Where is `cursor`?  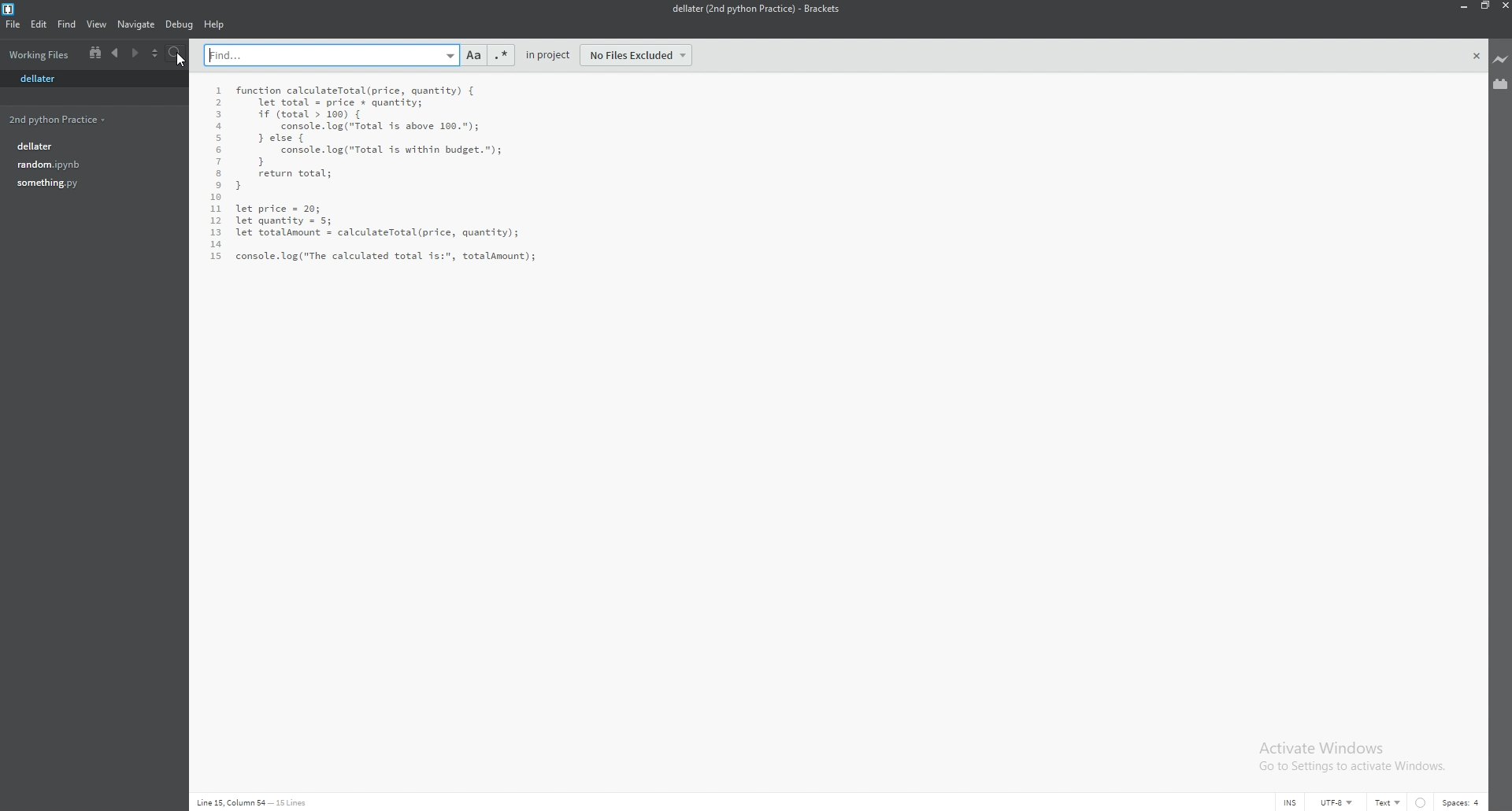 cursor is located at coordinates (183, 59).